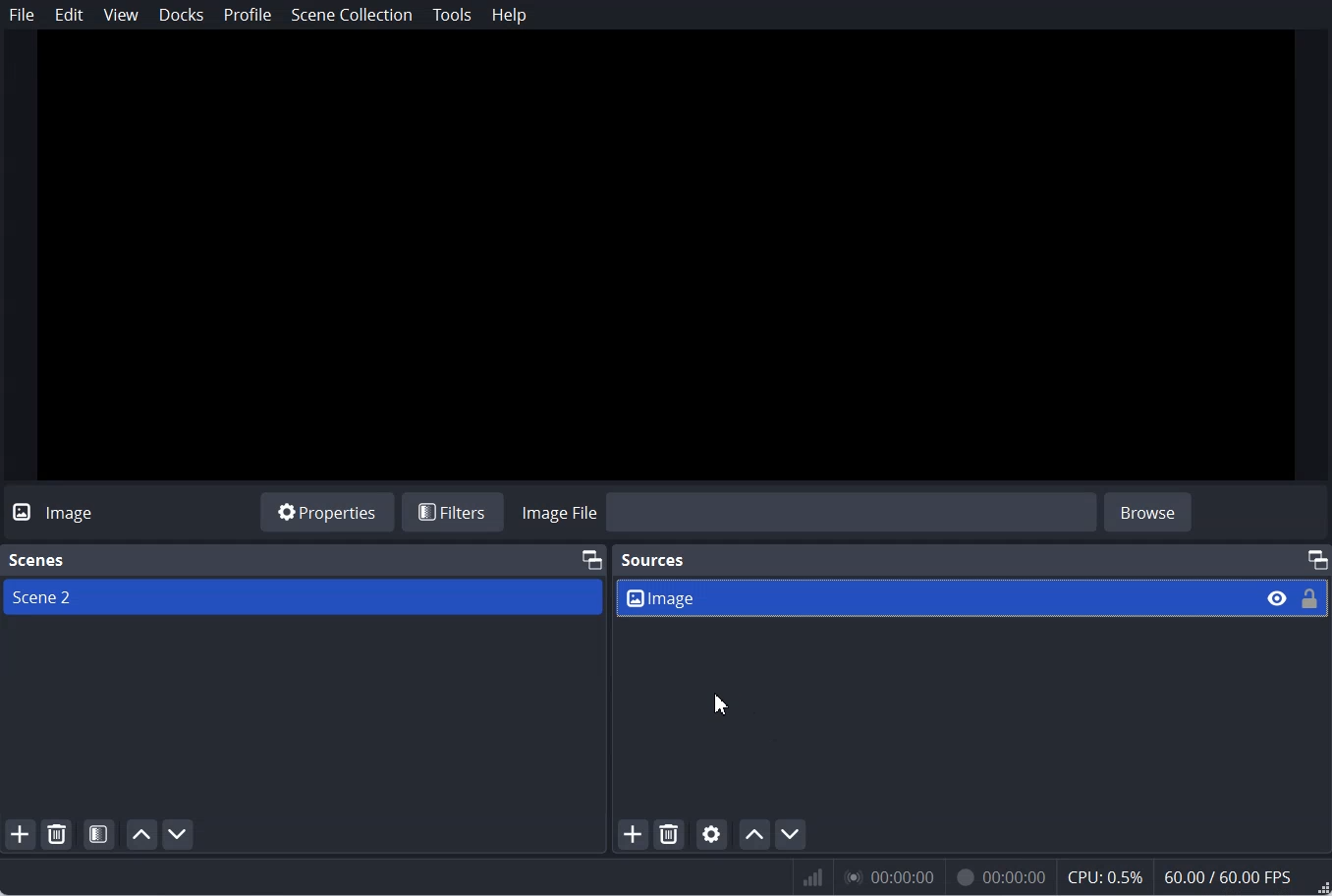 The height and width of the screenshot is (896, 1332). What do you see at coordinates (19, 833) in the screenshot?
I see `Add scene` at bounding box center [19, 833].